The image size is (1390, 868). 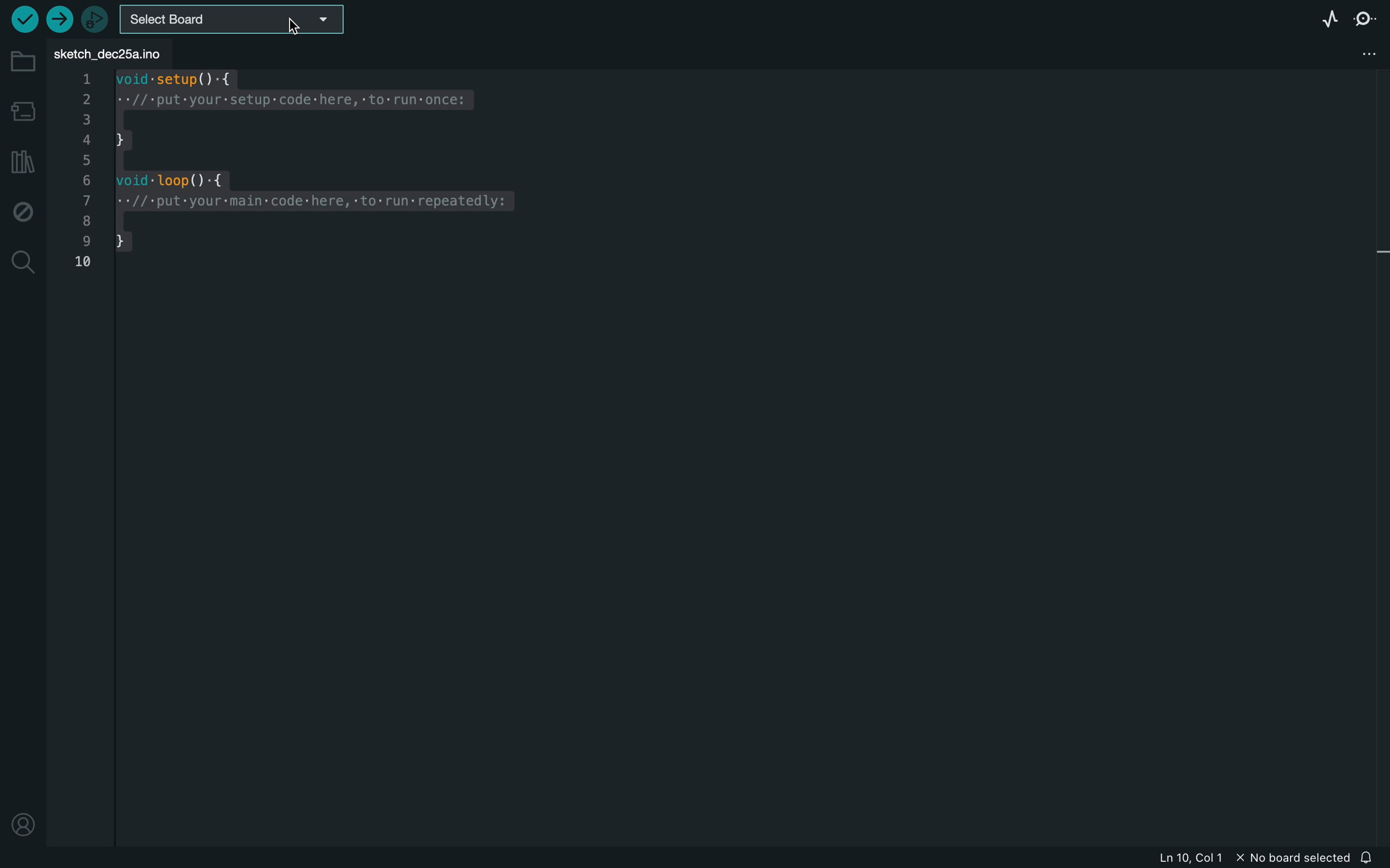 I want to click on serial monitor, so click(x=1362, y=18).